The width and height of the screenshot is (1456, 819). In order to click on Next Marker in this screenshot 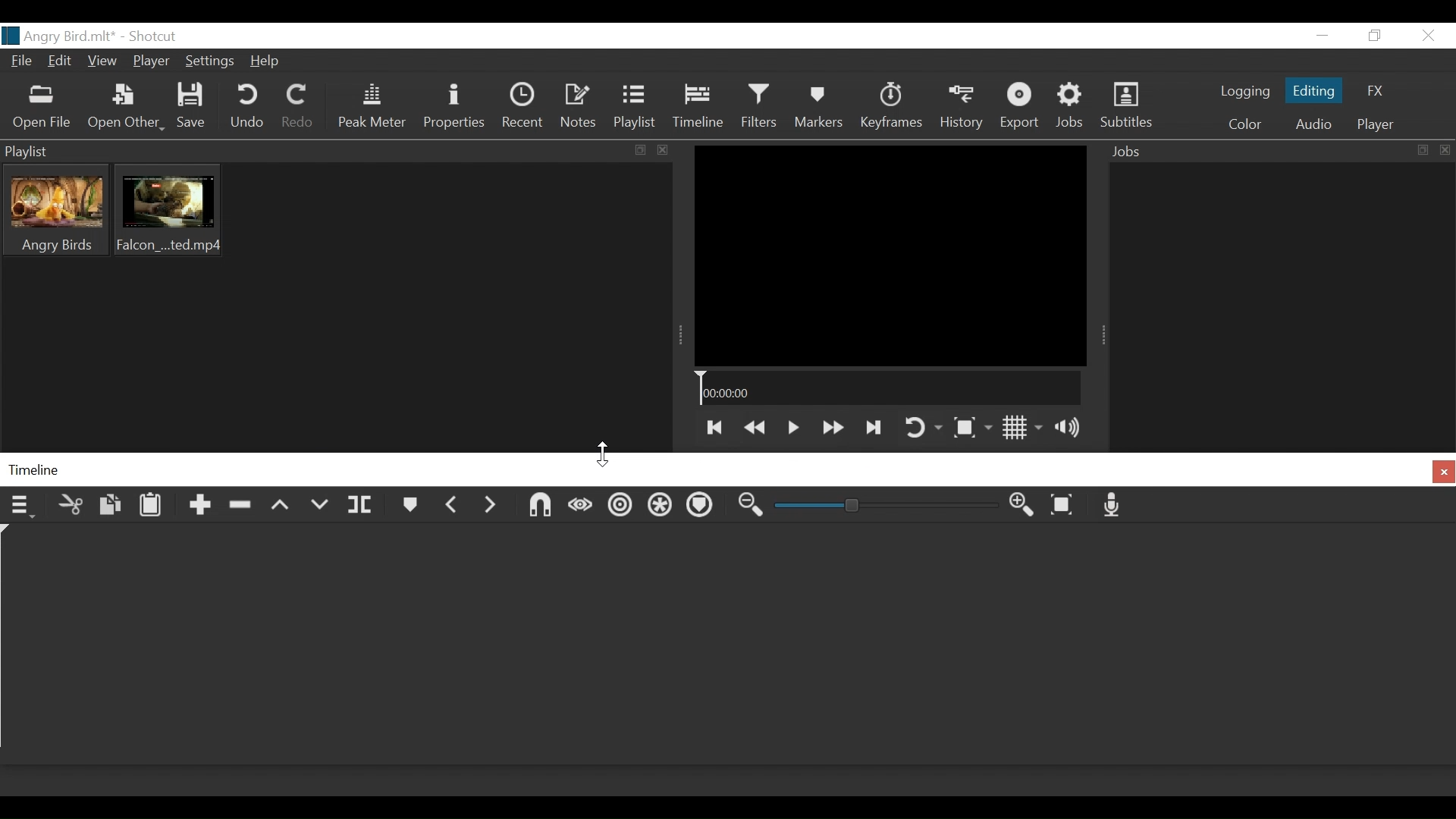, I will do `click(490, 509)`.